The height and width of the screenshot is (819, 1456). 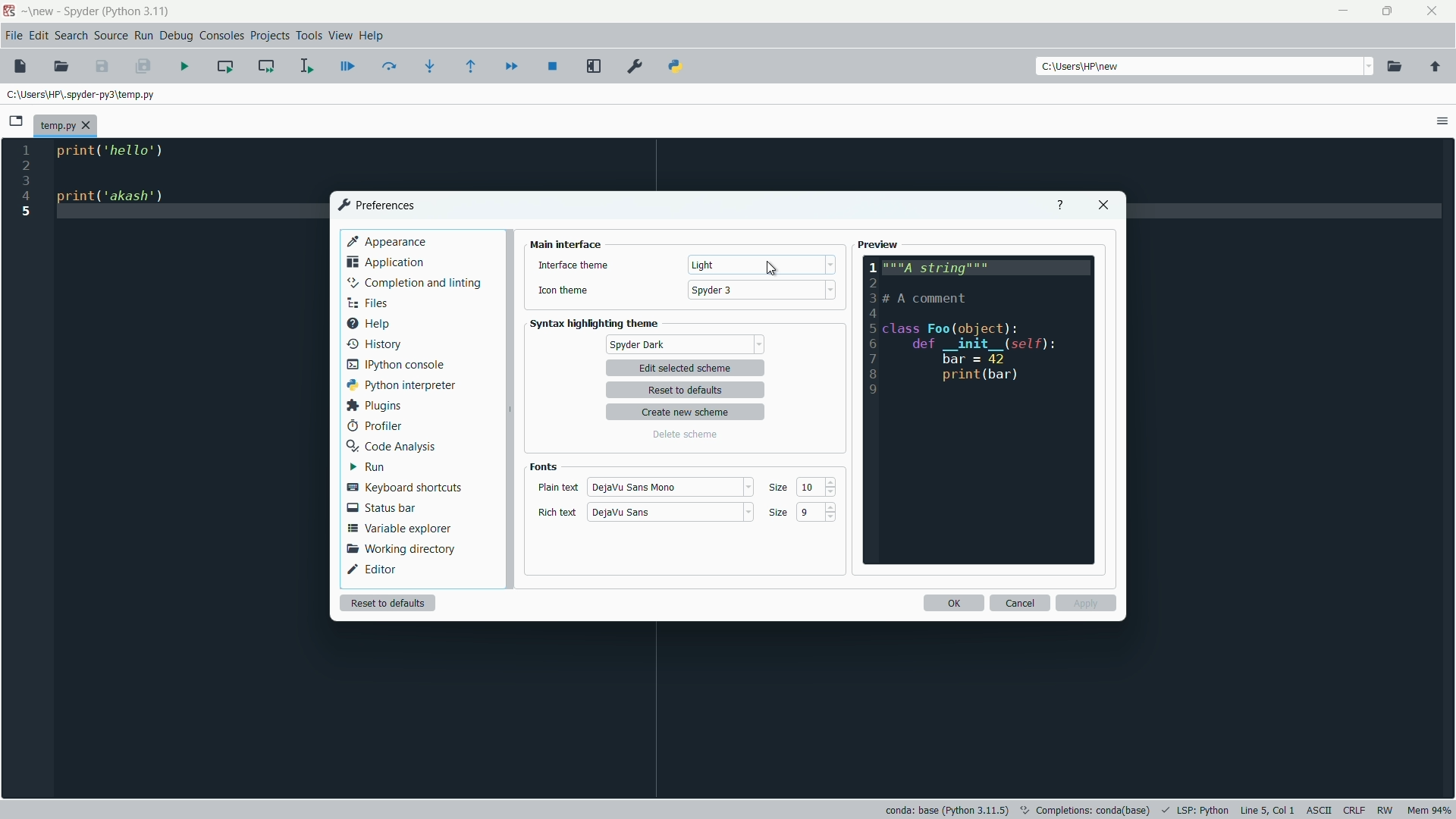 I want to click on keyboard shortcuts, so click(x=403, y=488).